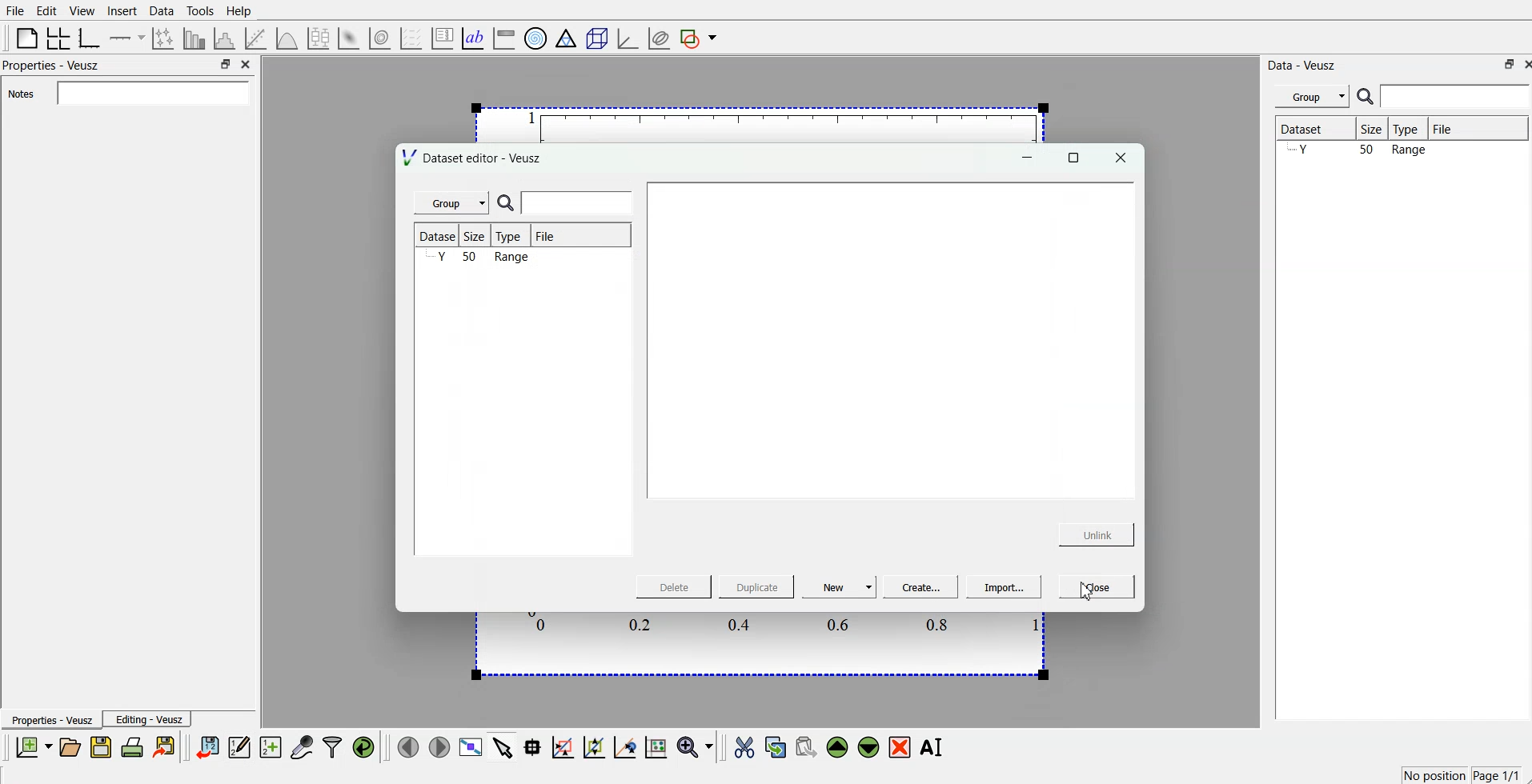 The height and width of the screenshot is (784, 1532). Describe the element at coordinates (746, 747) in the screenshot. I see `cut the selected widgets` at that location.